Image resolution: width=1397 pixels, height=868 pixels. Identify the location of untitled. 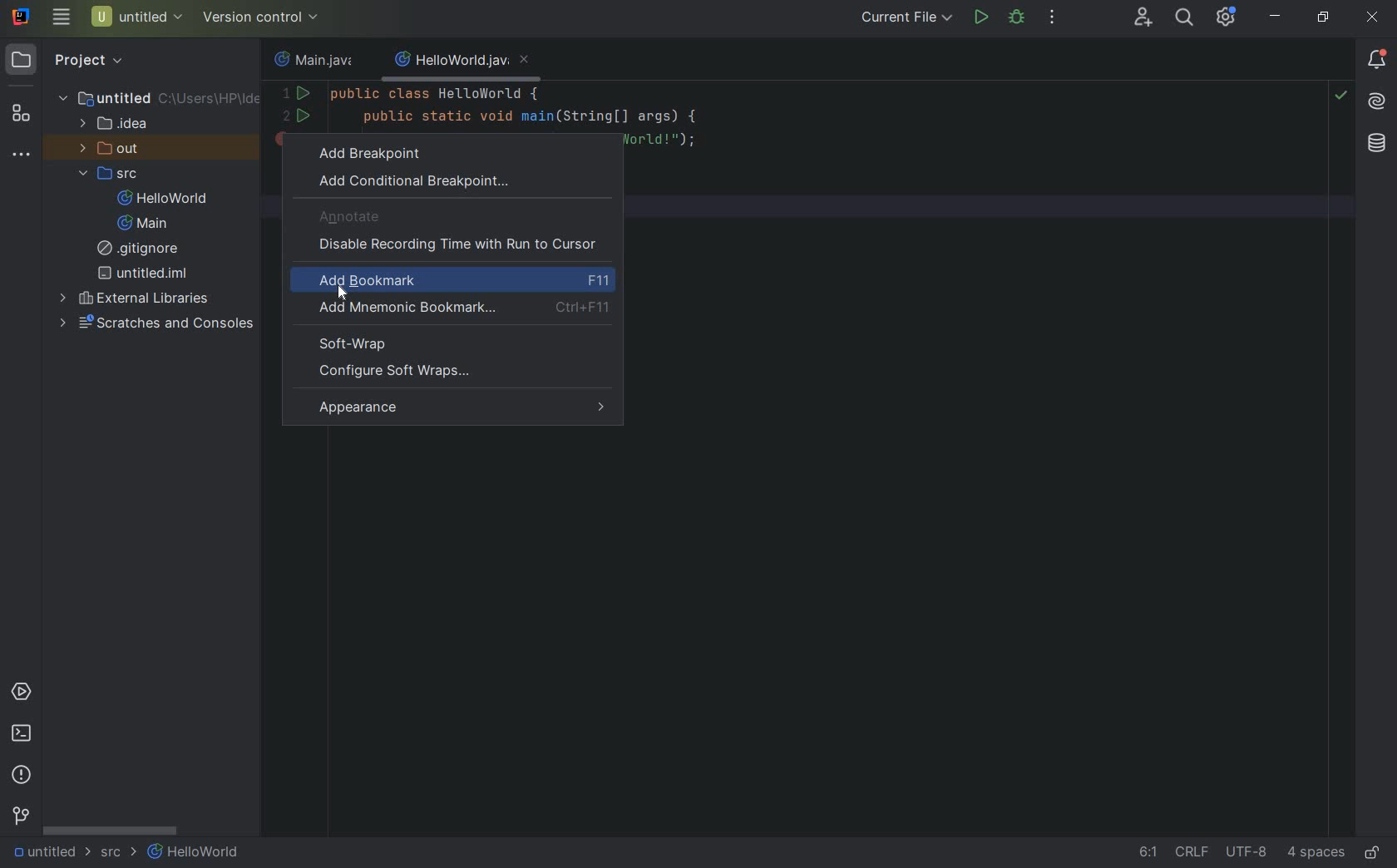
(143, 273).